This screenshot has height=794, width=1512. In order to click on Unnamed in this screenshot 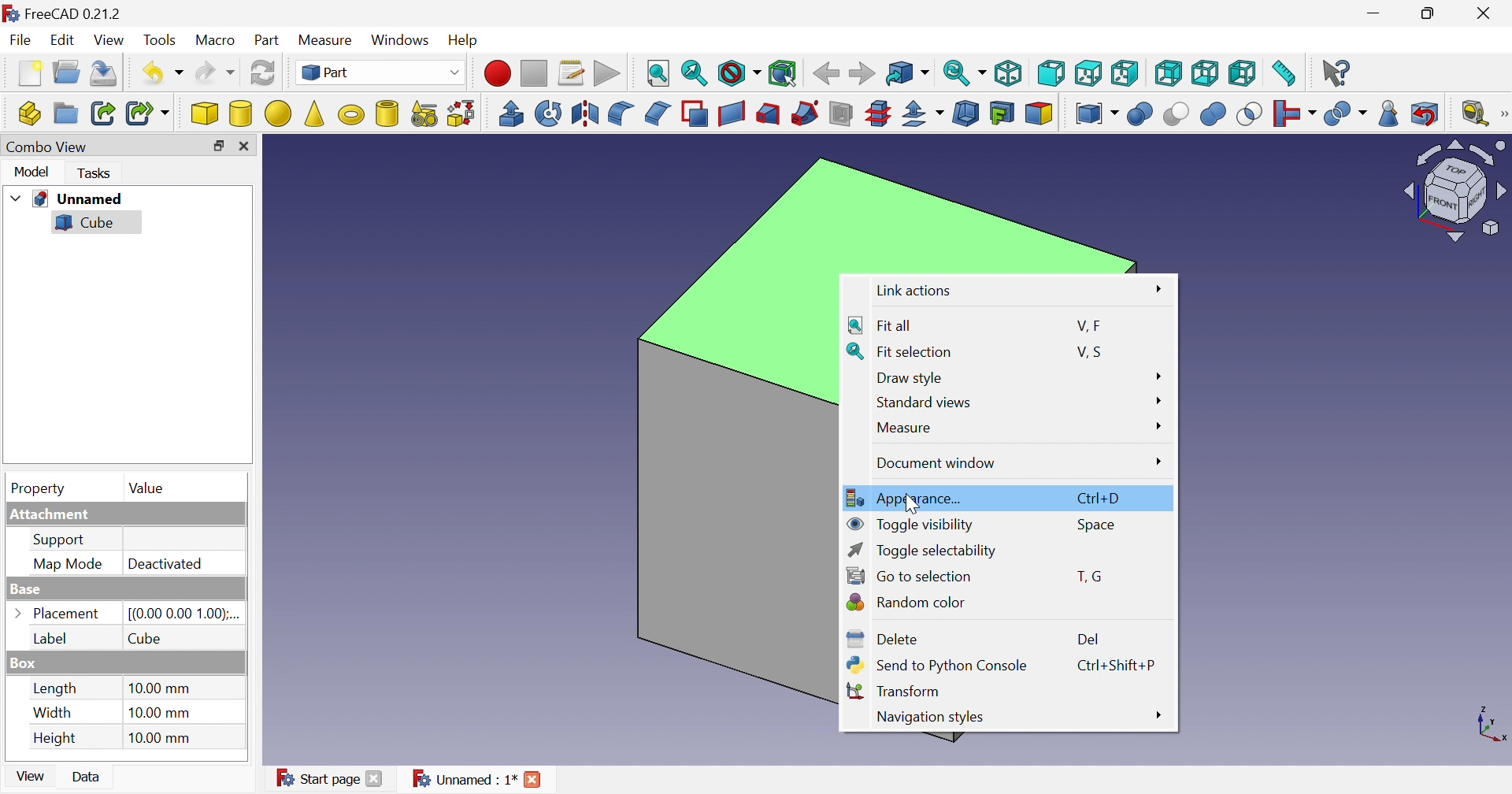, I will do `click(81, 199)`.